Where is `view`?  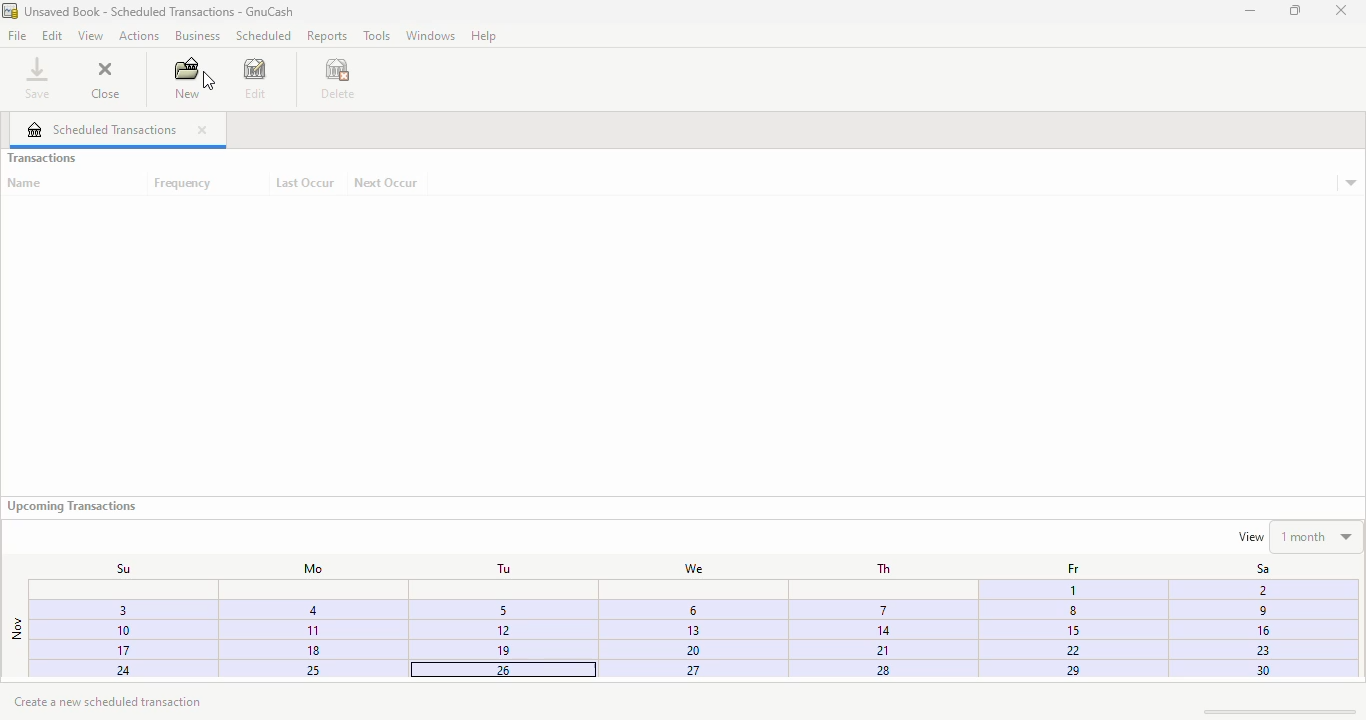 view is located at coordinates (90, 37).